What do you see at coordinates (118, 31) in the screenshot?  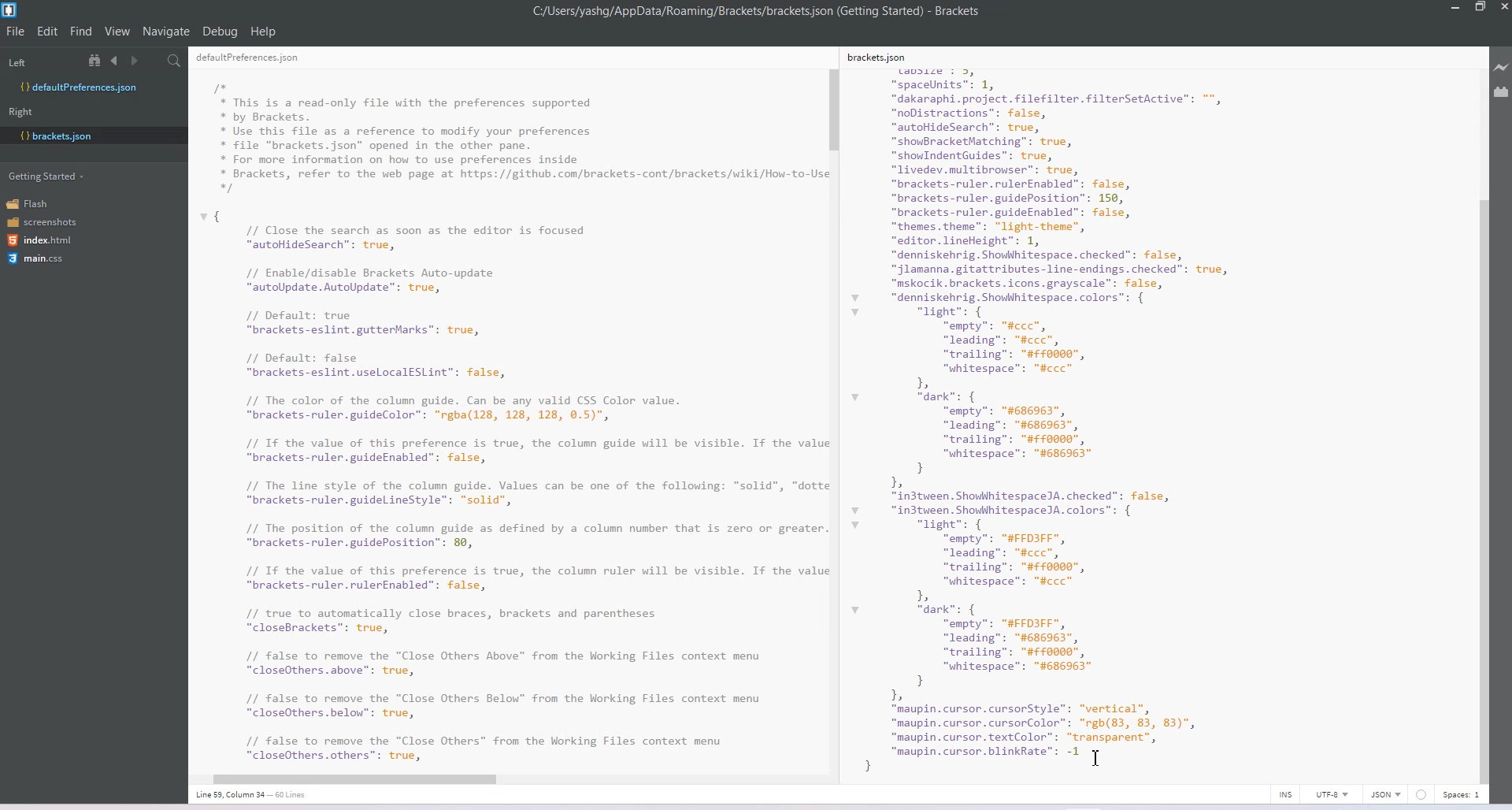 I see `View` at bounding box center [118, 31].